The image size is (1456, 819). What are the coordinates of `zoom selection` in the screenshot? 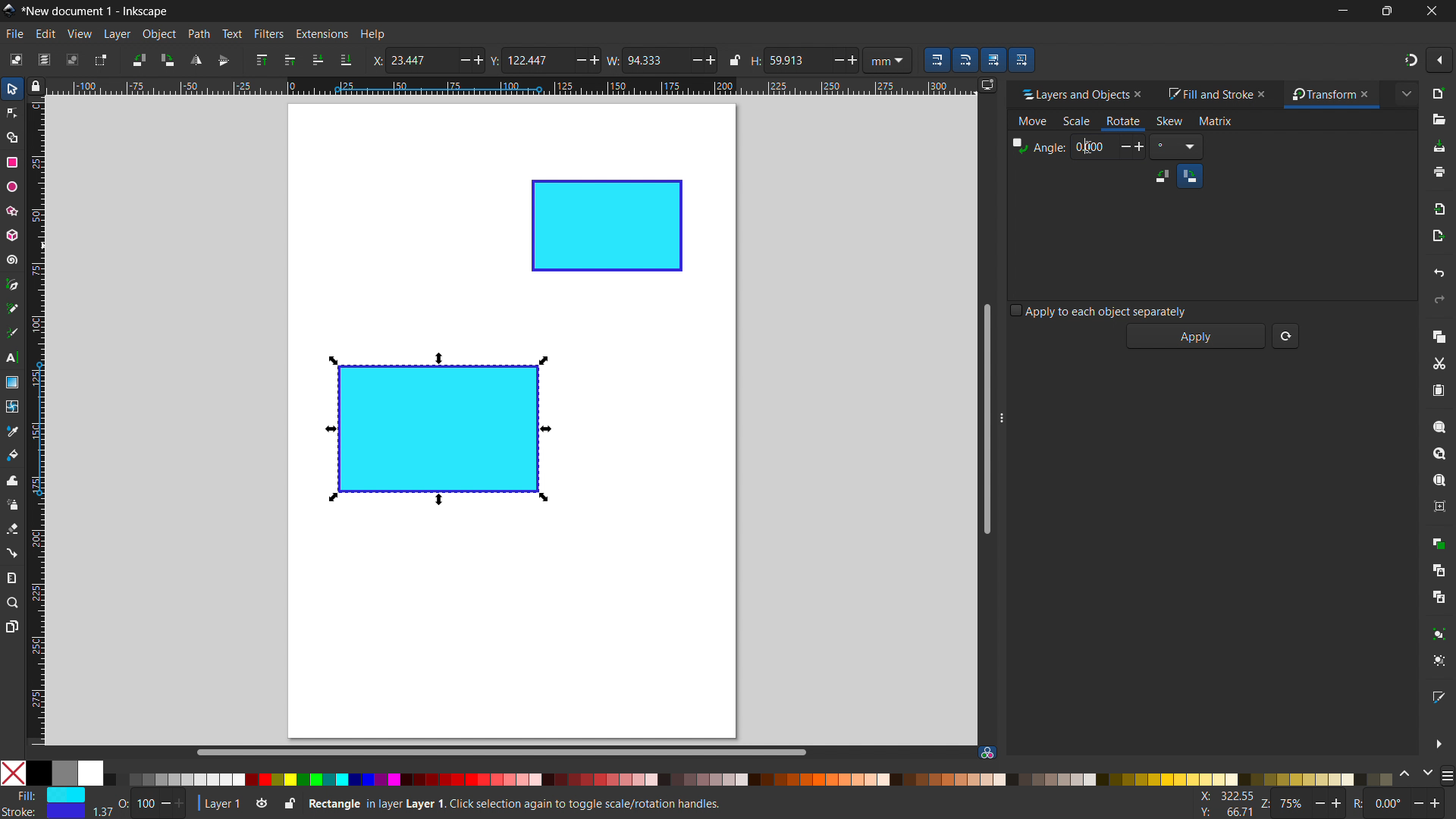 It's located at (1439, 427).